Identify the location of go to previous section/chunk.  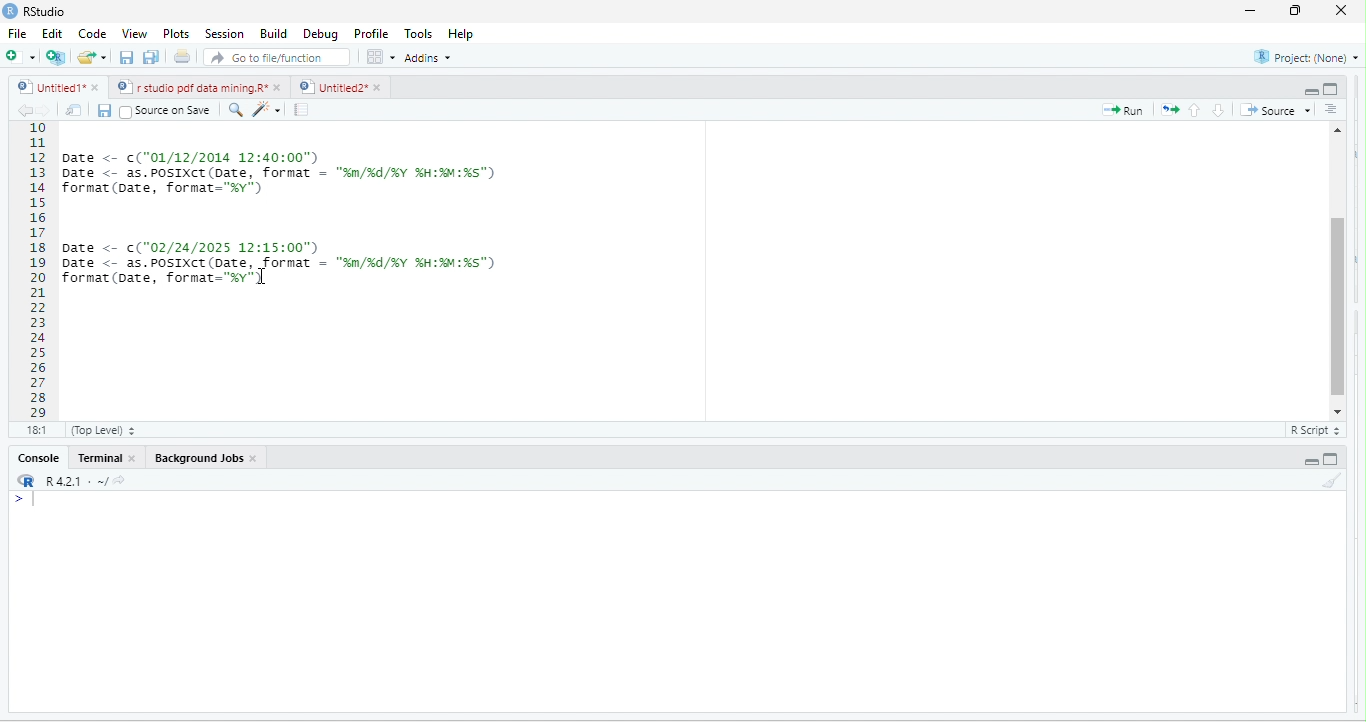
(1197, 109).